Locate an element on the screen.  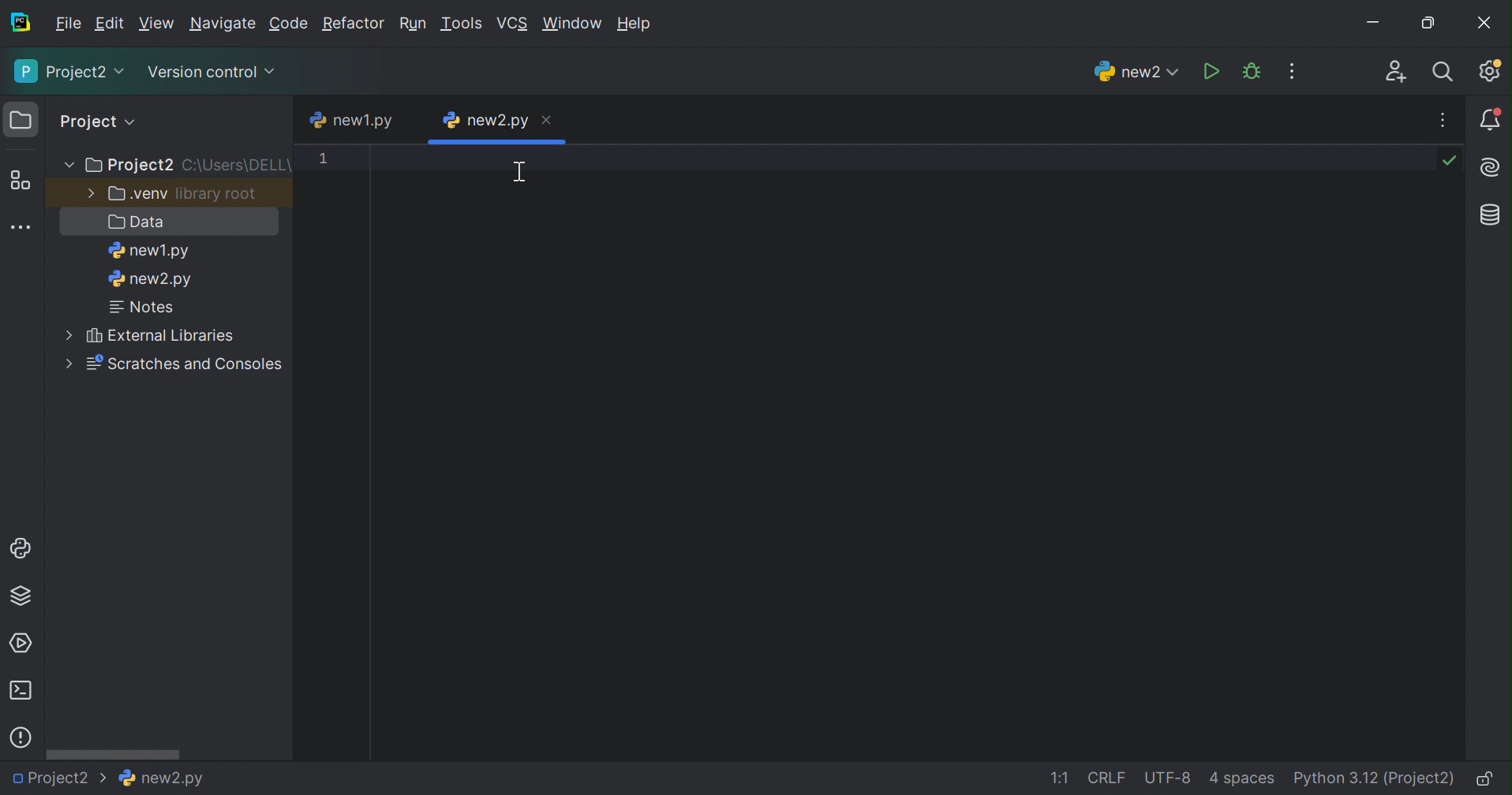
Version control is located at coordinates (211, 70).